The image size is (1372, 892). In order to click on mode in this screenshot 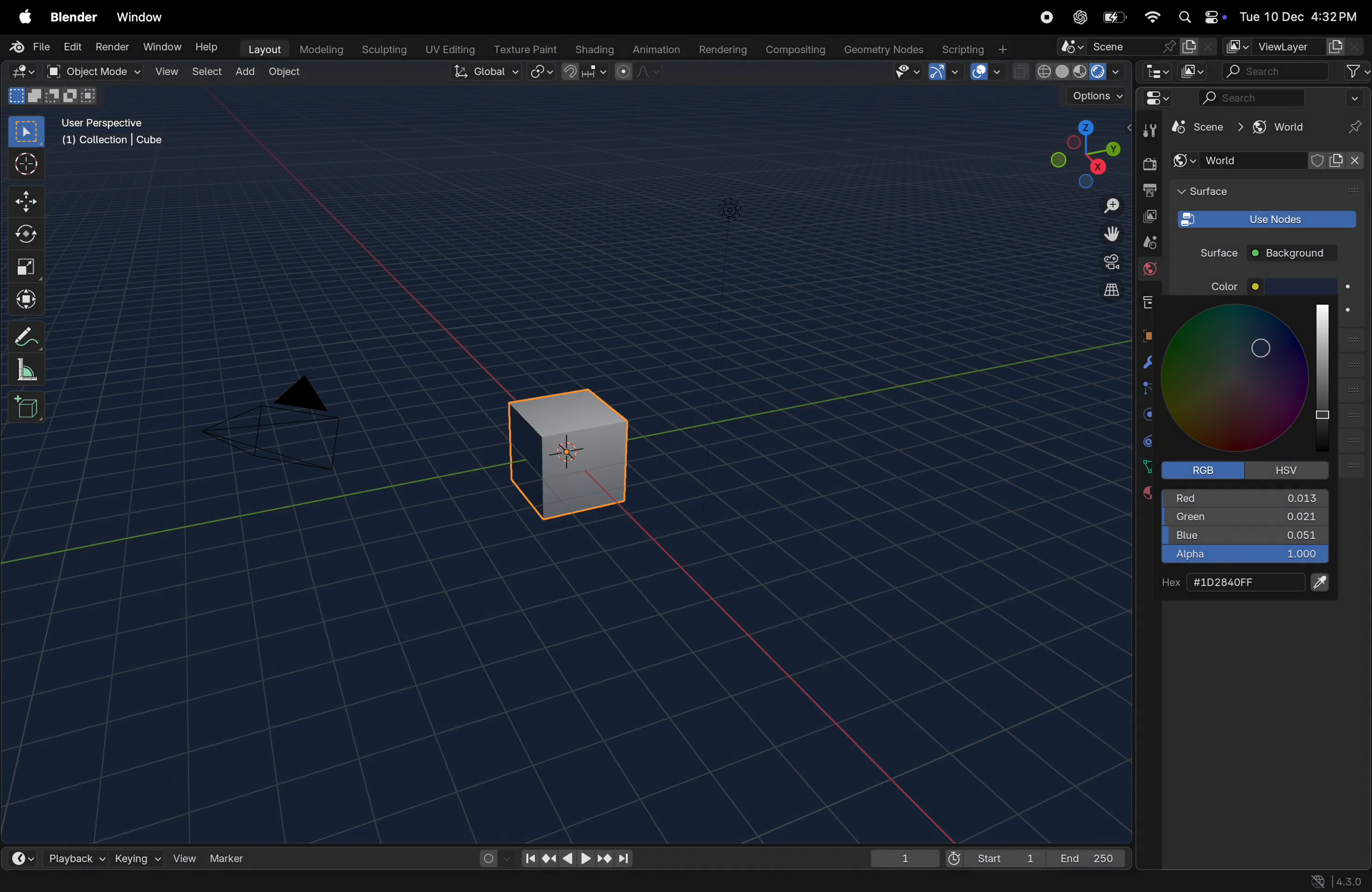, I will do `click(51, 97)`.